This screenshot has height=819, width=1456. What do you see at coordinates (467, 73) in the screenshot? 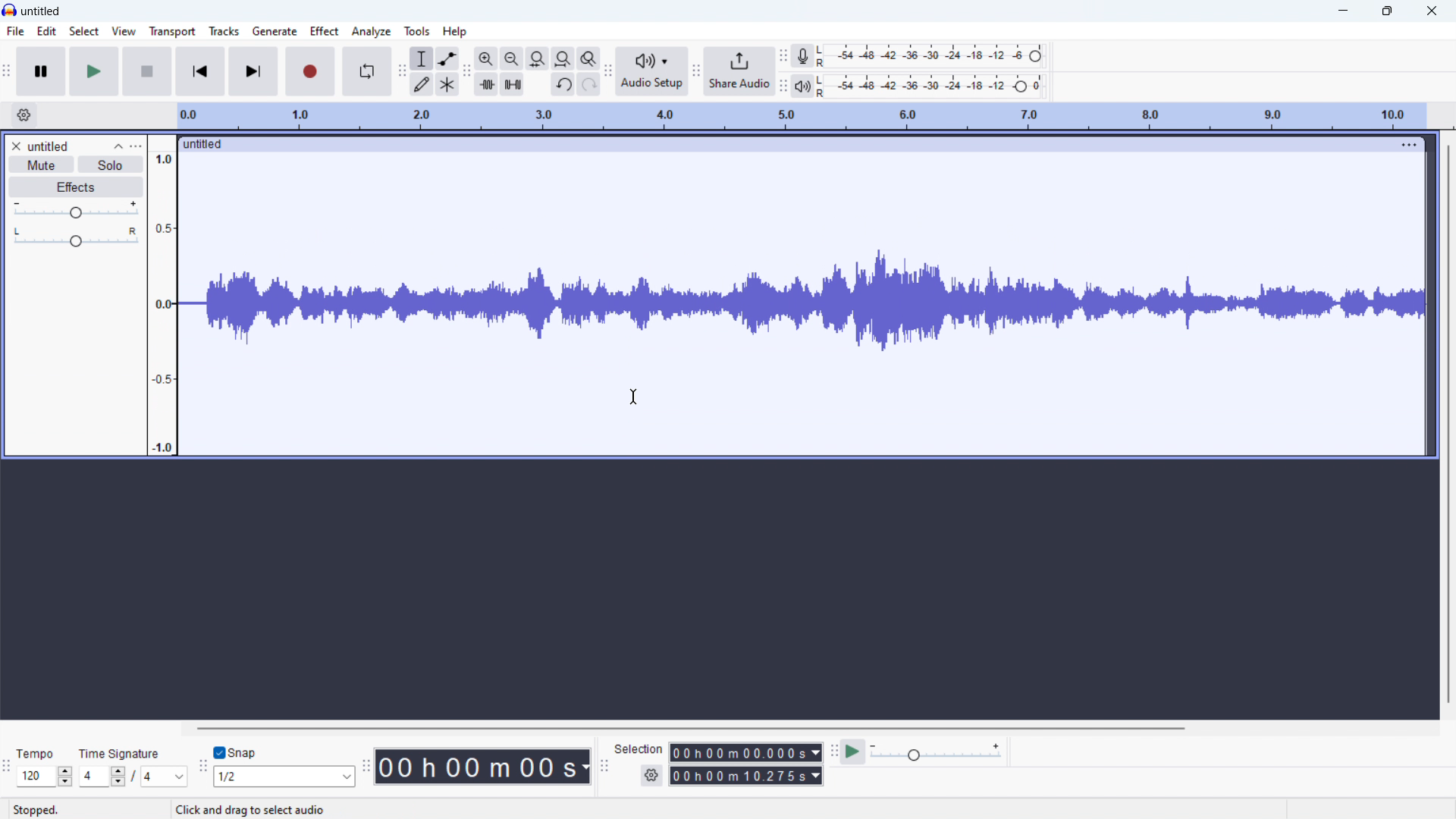
I see `edit toolbar` at bounding box center [467, 73].